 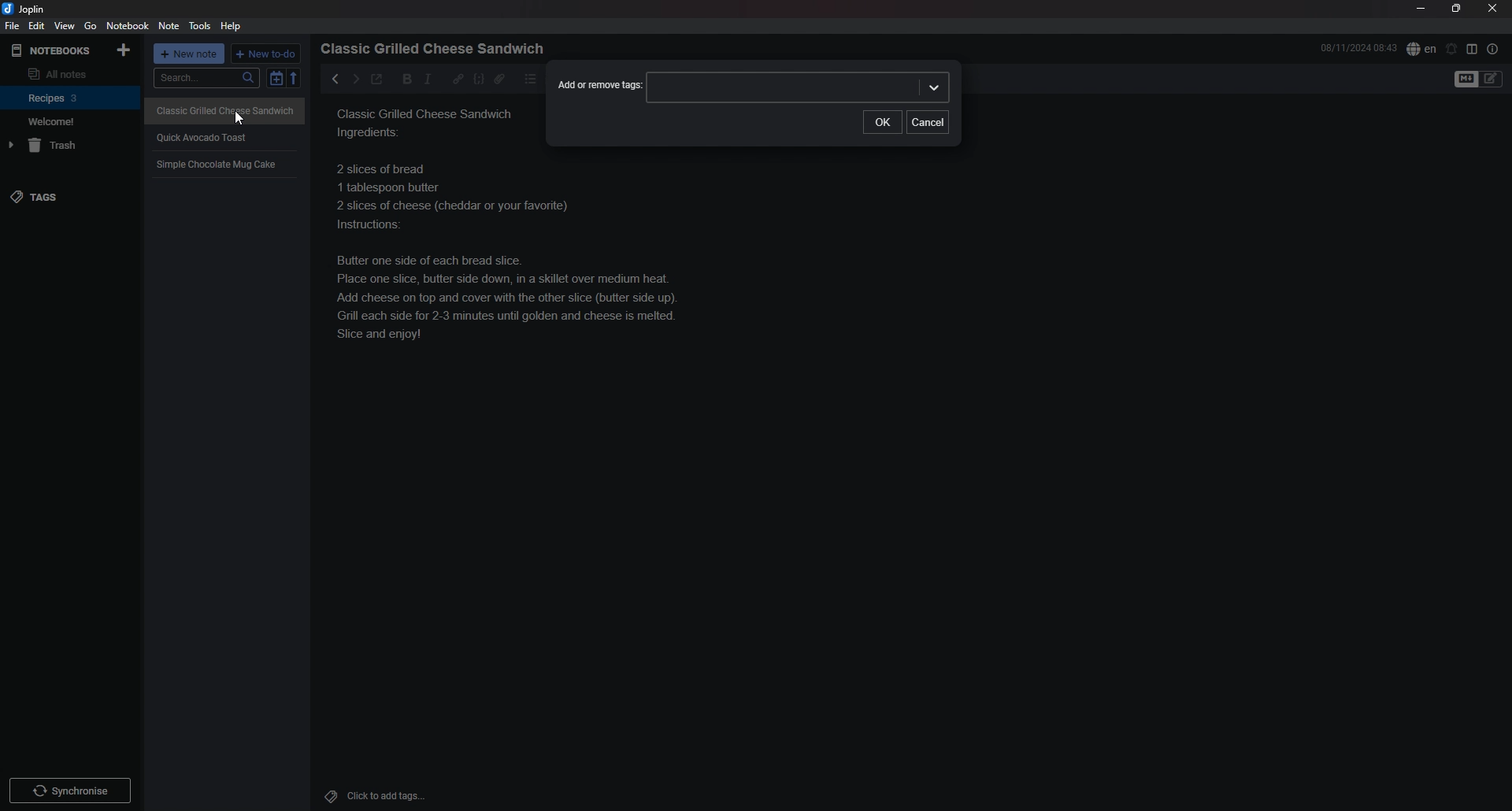 What do you see at coordinates (1452, 48) in the screenshot?
I see `set alarm` at bounding box center [1452, 48].